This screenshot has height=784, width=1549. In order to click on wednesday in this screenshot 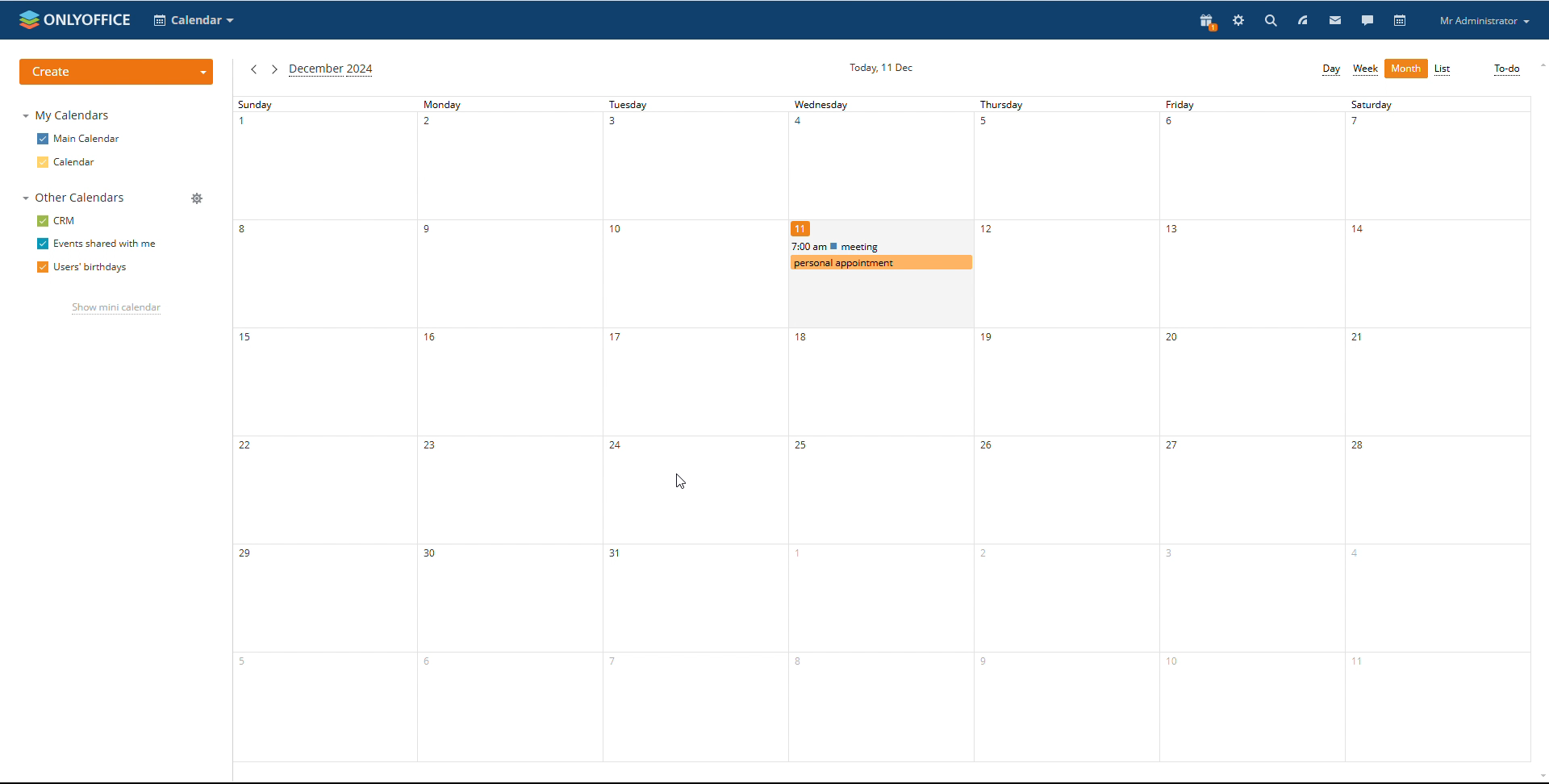, I will do `click(881, 428)`.